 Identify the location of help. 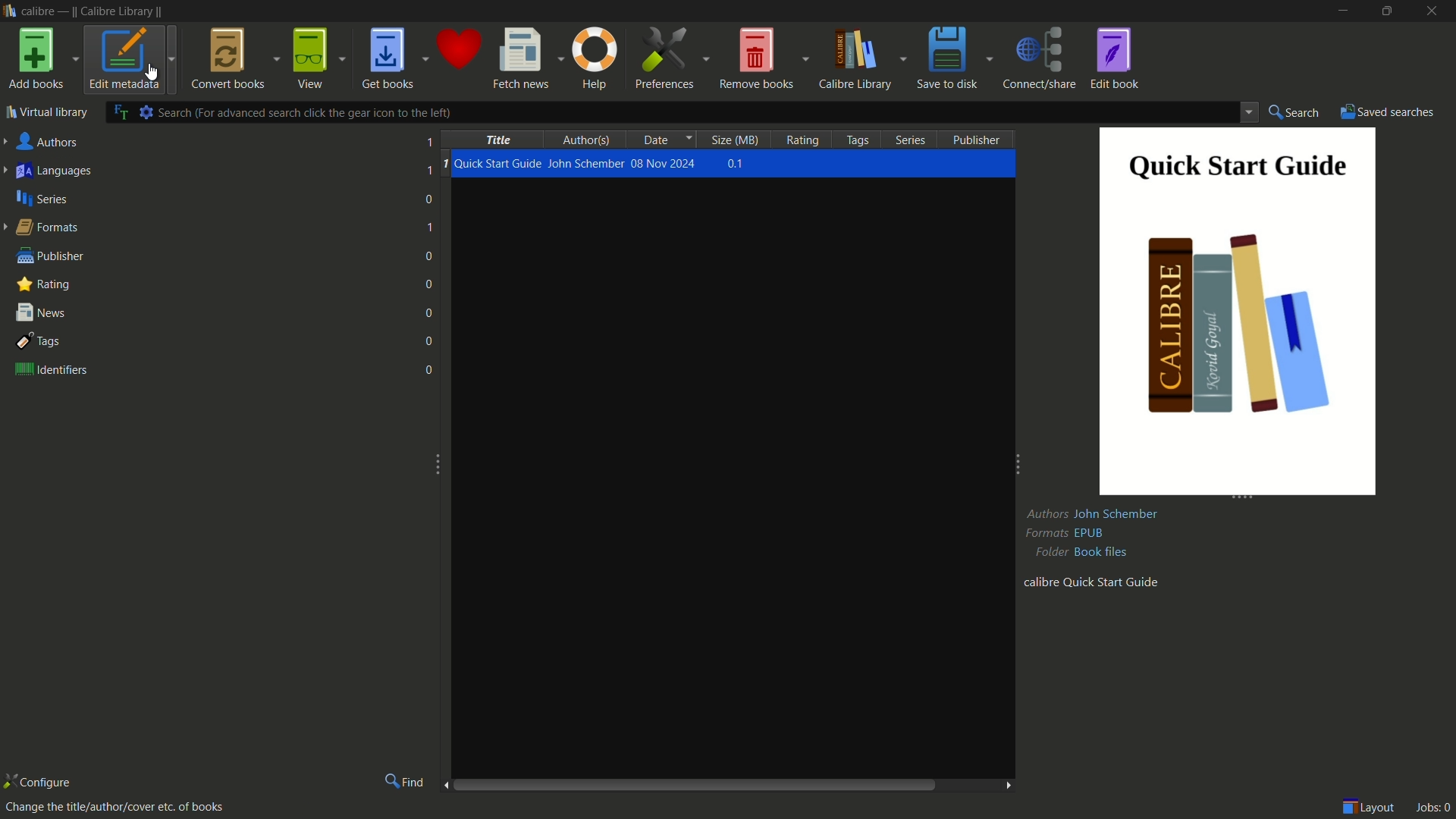
(595, 58).